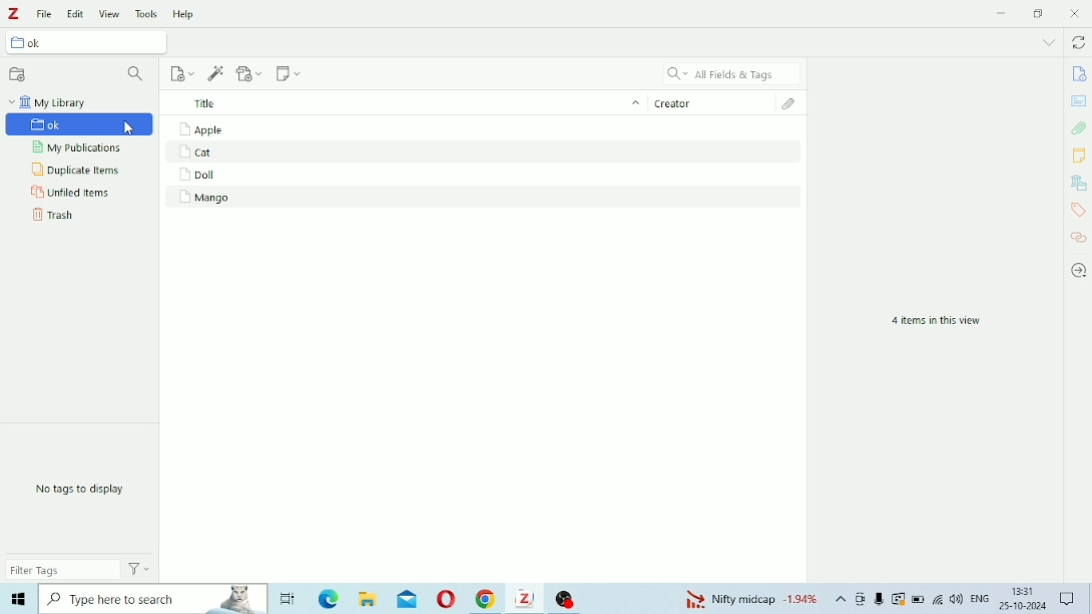 The height and width of the screenshot is (614, 1092). What do you see at coordinates (861, 599) in the screenshot?
I see `Meet Now` at bounding box center [861, 599].